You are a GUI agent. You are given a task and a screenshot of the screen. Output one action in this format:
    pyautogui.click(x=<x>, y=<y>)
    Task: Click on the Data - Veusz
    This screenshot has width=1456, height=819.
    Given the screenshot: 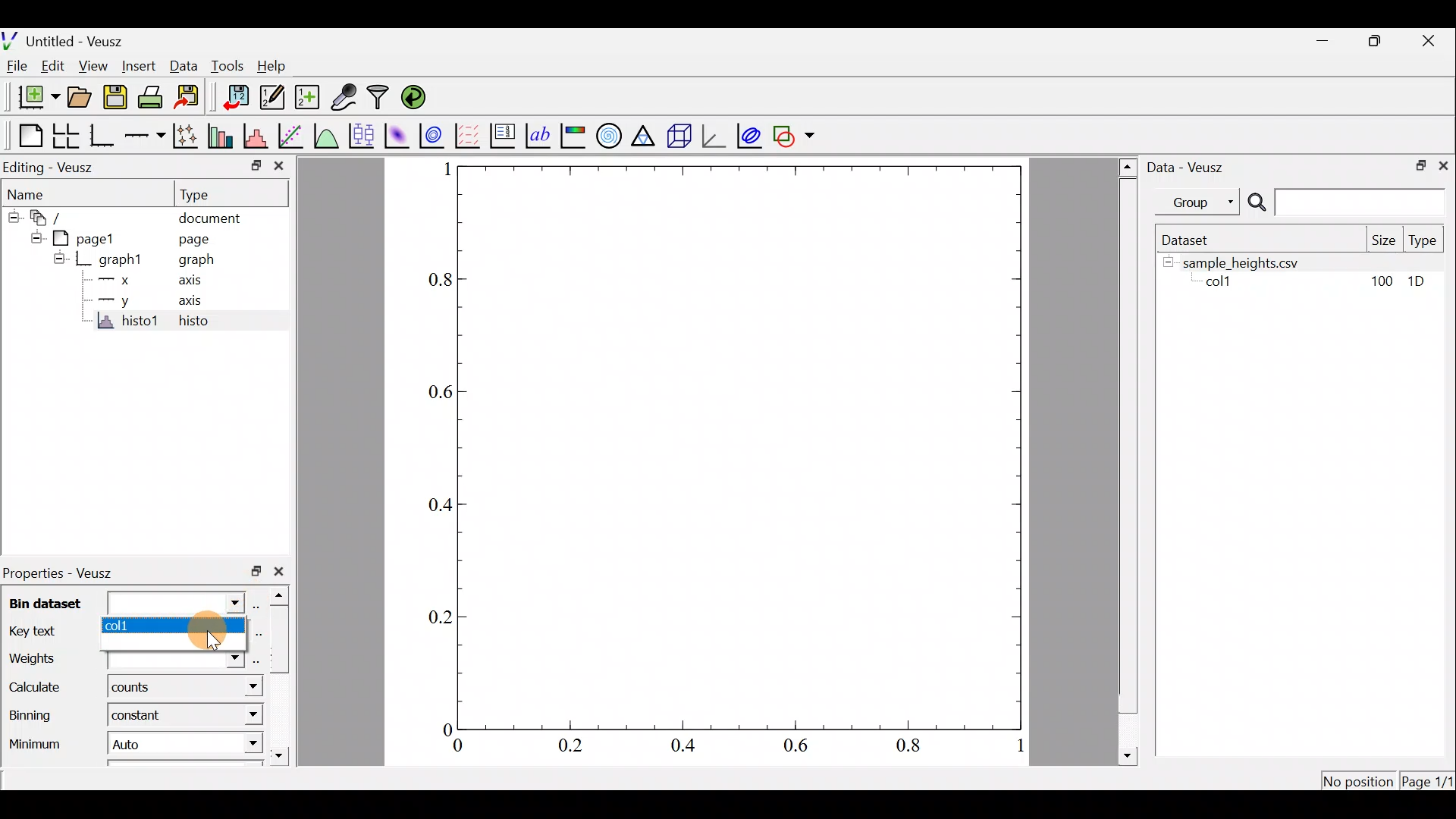 What is the action you would take?
    pyautogui.click(x=1191, y=168)
    